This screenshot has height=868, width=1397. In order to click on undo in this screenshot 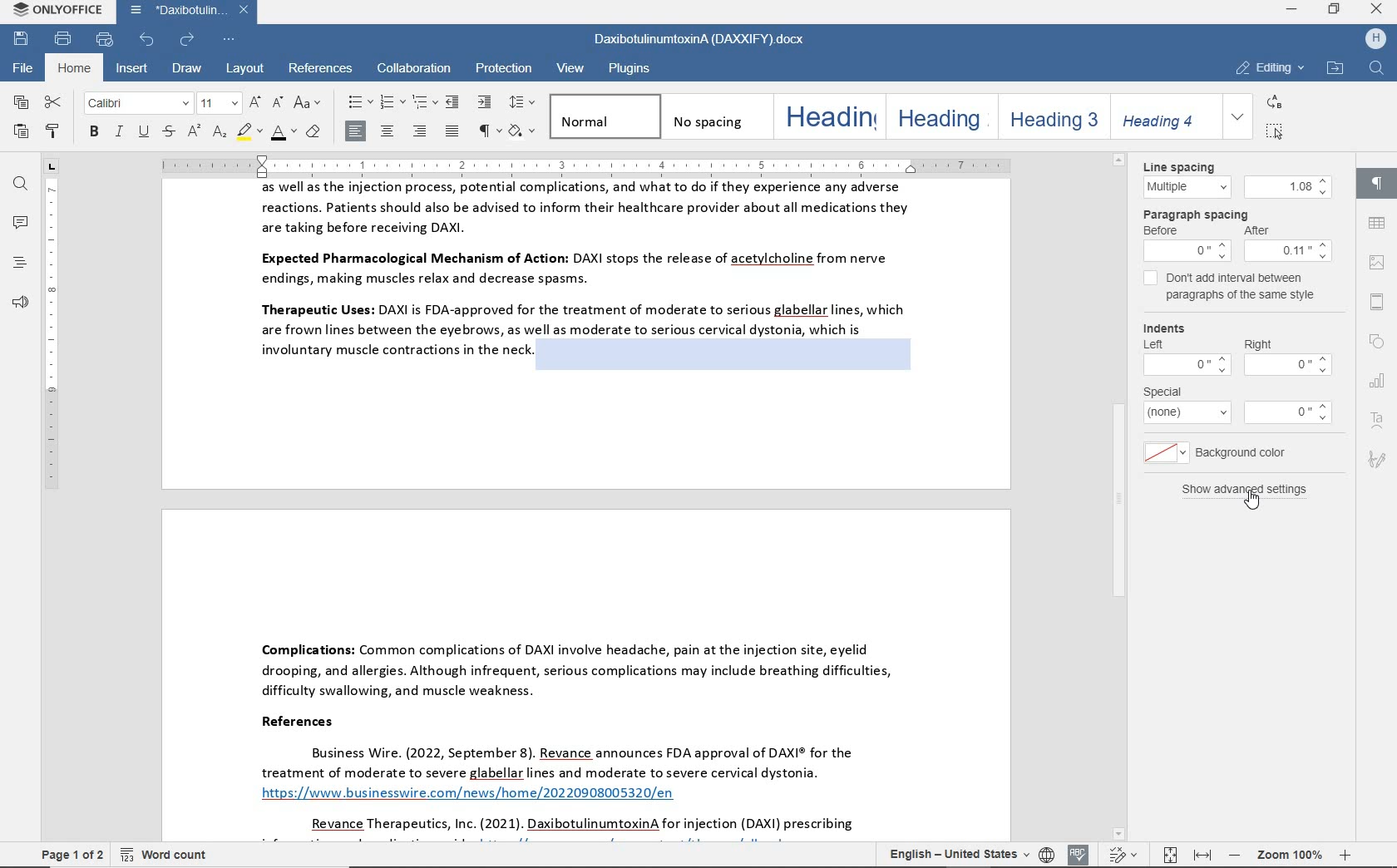, I will do `click(148, 39)`.